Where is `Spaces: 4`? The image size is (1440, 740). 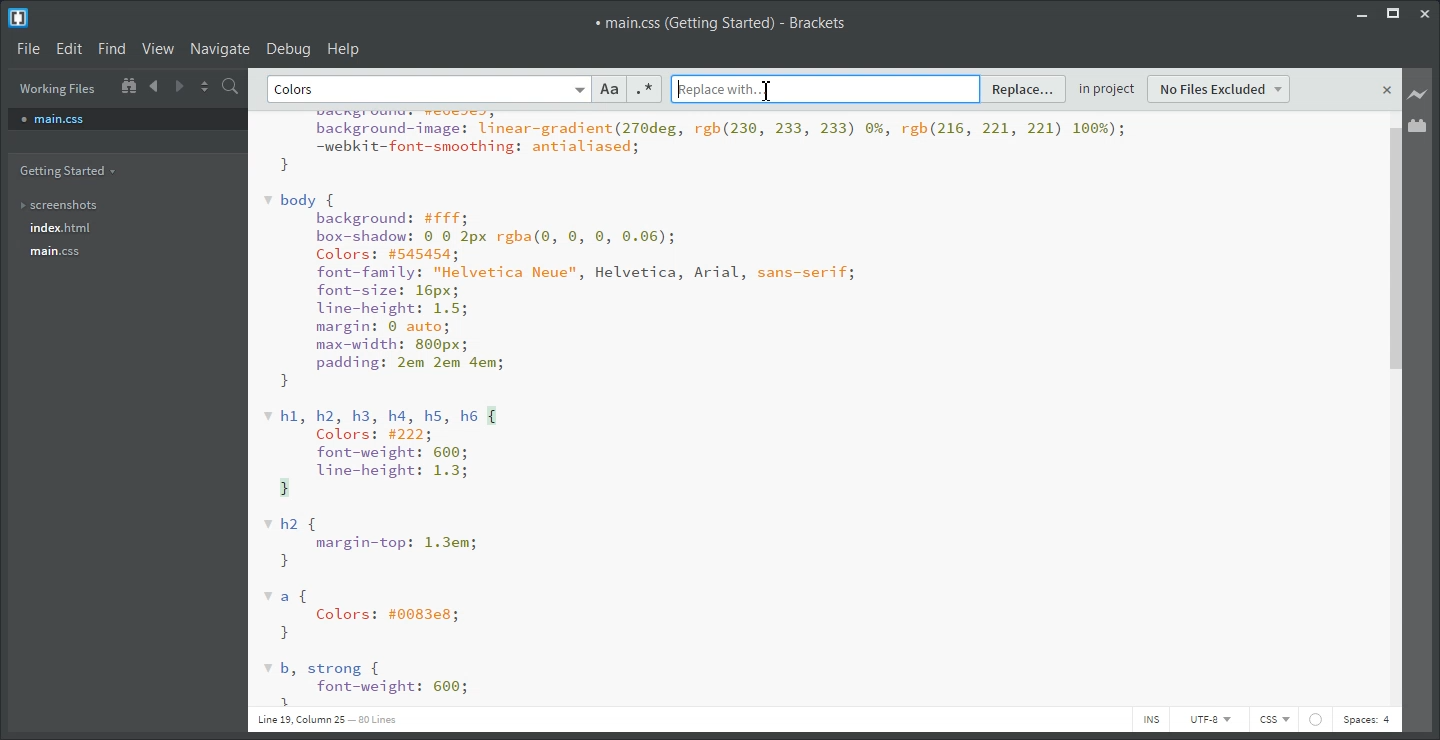 Spaces: 4 is located at coordinates (1367, 721).